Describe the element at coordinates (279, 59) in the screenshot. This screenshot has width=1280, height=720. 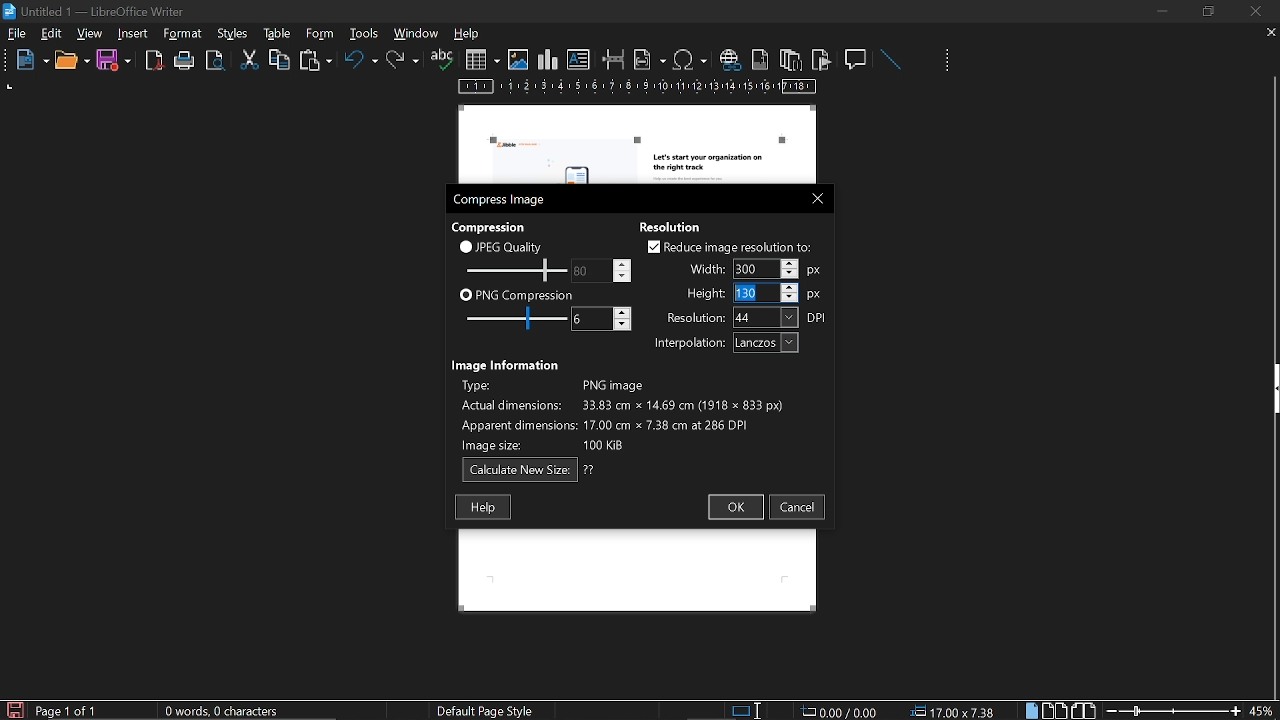
I see `copy` at that location.